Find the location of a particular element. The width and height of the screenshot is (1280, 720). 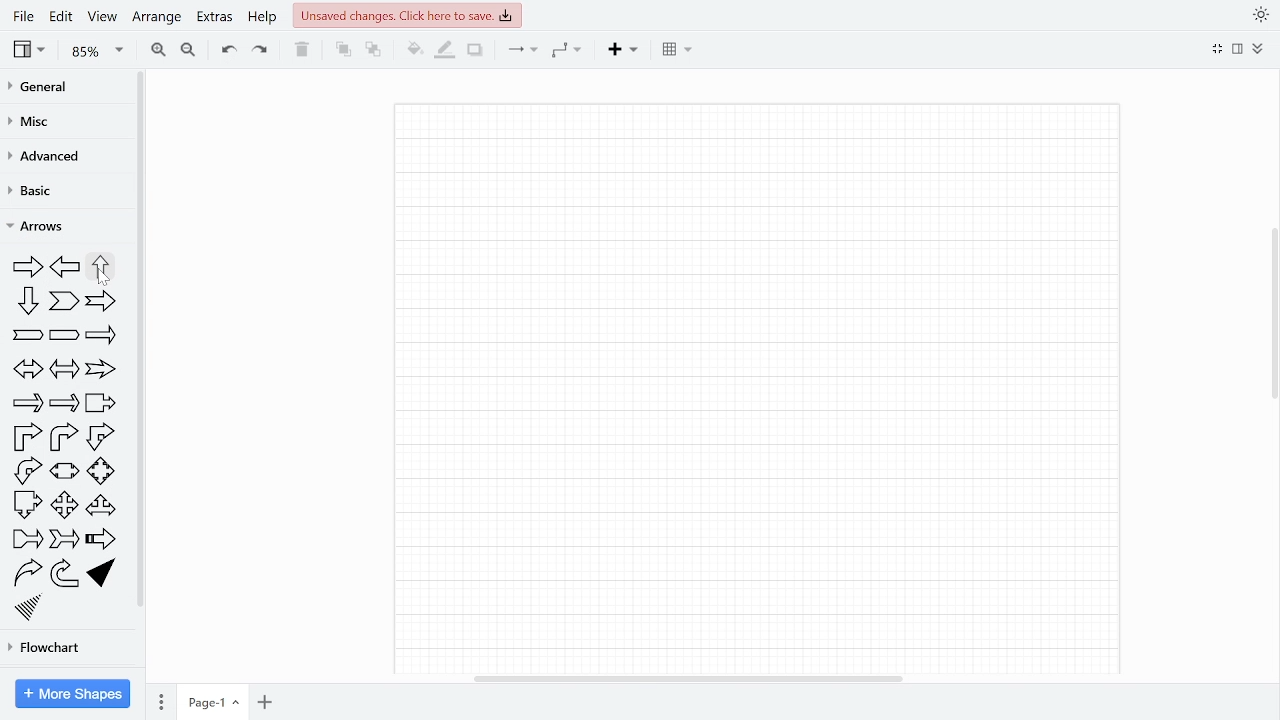

Current page(page 1) is located at coordinates (213, 701).